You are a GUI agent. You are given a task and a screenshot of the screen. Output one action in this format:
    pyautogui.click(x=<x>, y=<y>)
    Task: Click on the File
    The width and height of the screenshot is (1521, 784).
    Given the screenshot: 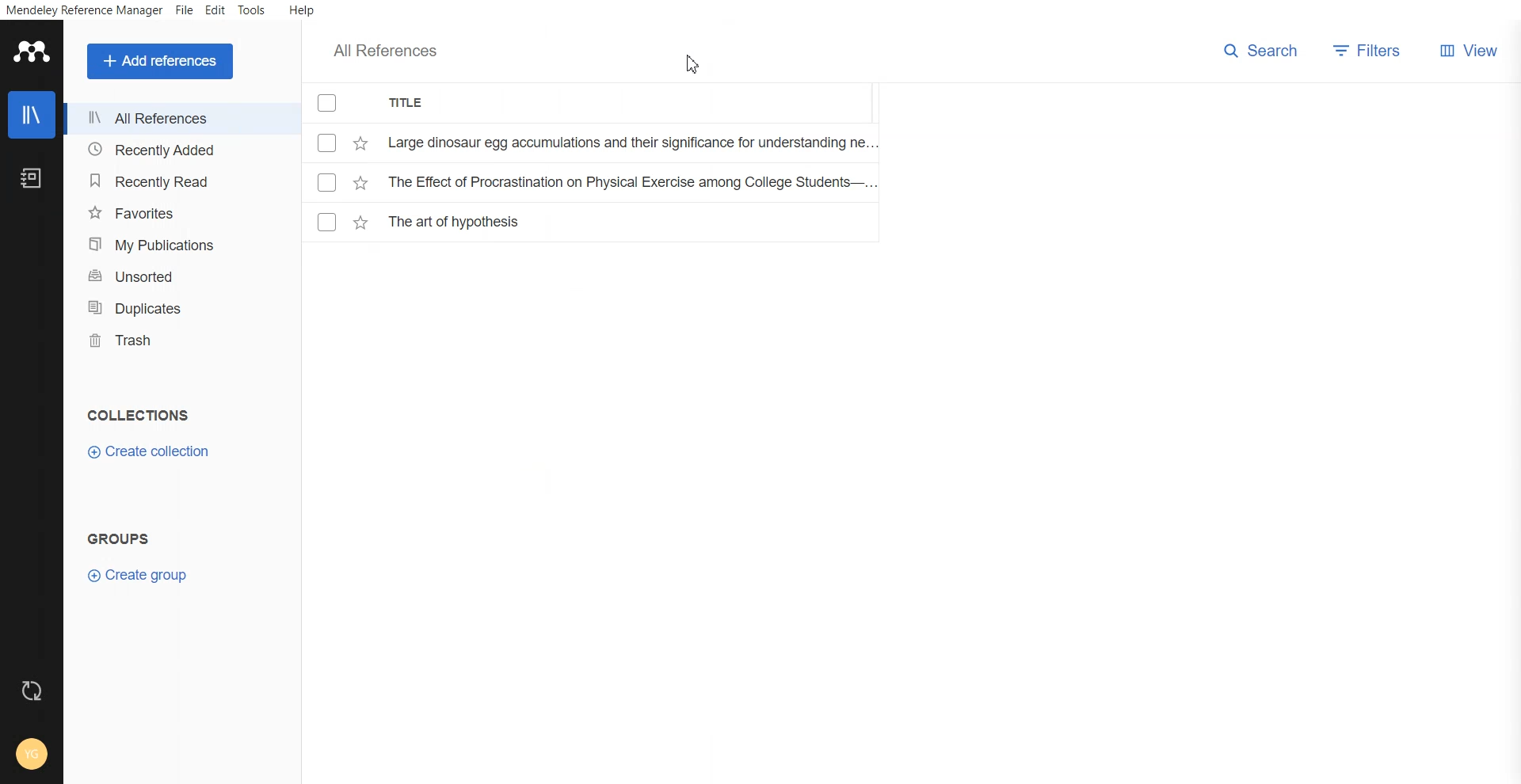 What is the action you would take?
    pyautogui.click(x=185, y=10)
    